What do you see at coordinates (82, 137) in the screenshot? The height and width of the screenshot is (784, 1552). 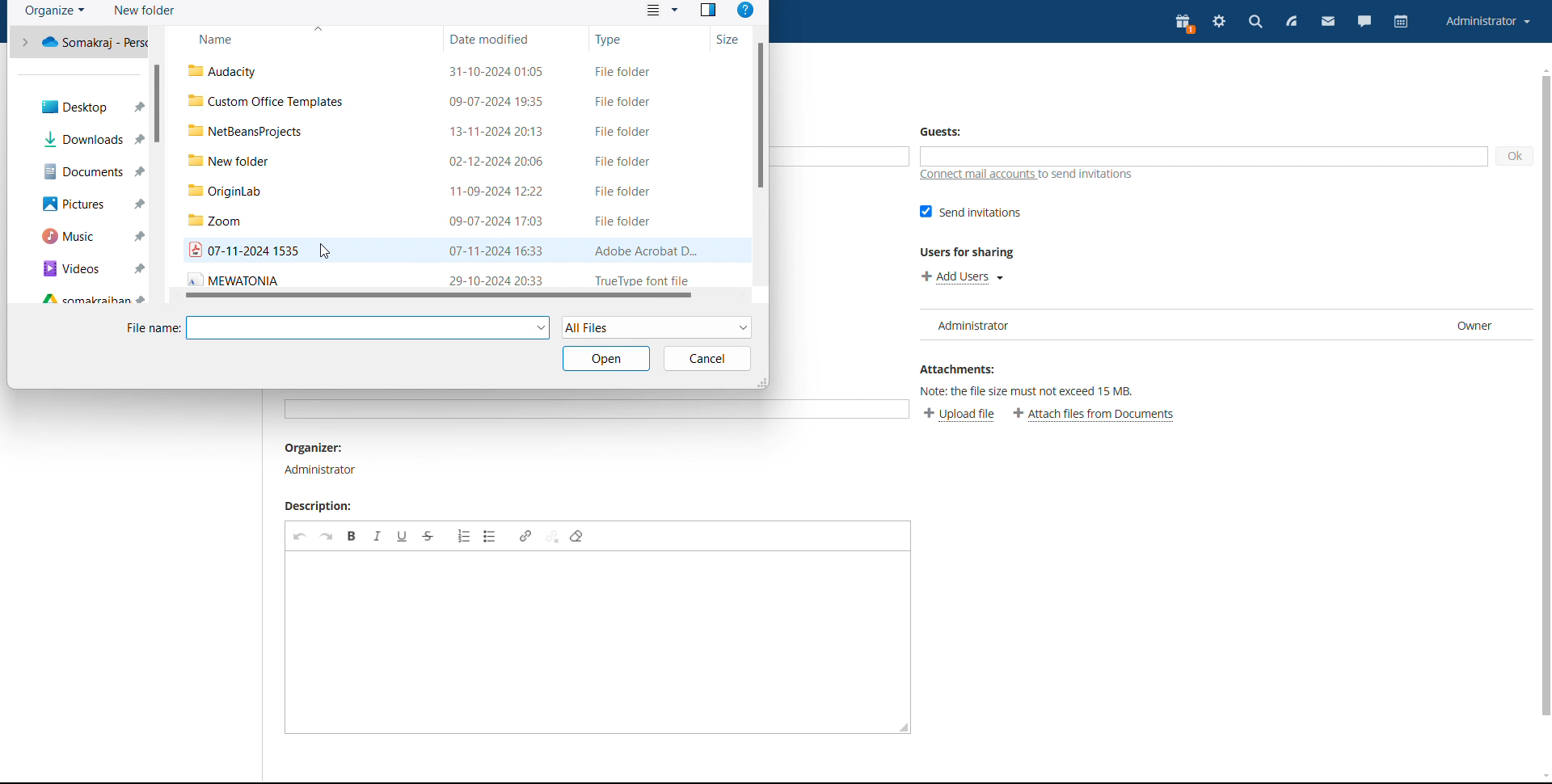 I see `` at bounding box center [82, 137].